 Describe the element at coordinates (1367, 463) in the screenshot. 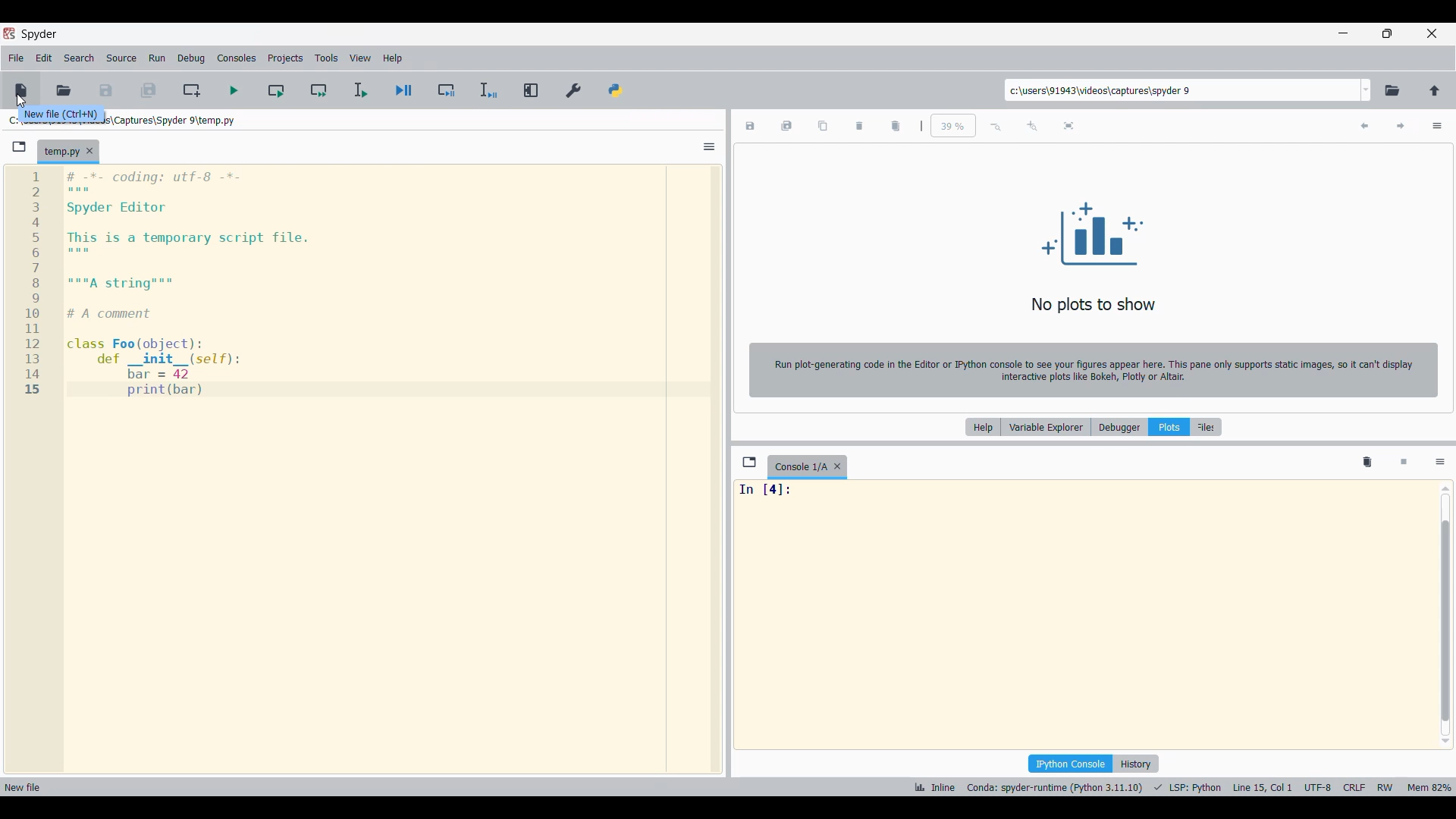

I see `Remove all variables from namespace` at that location.